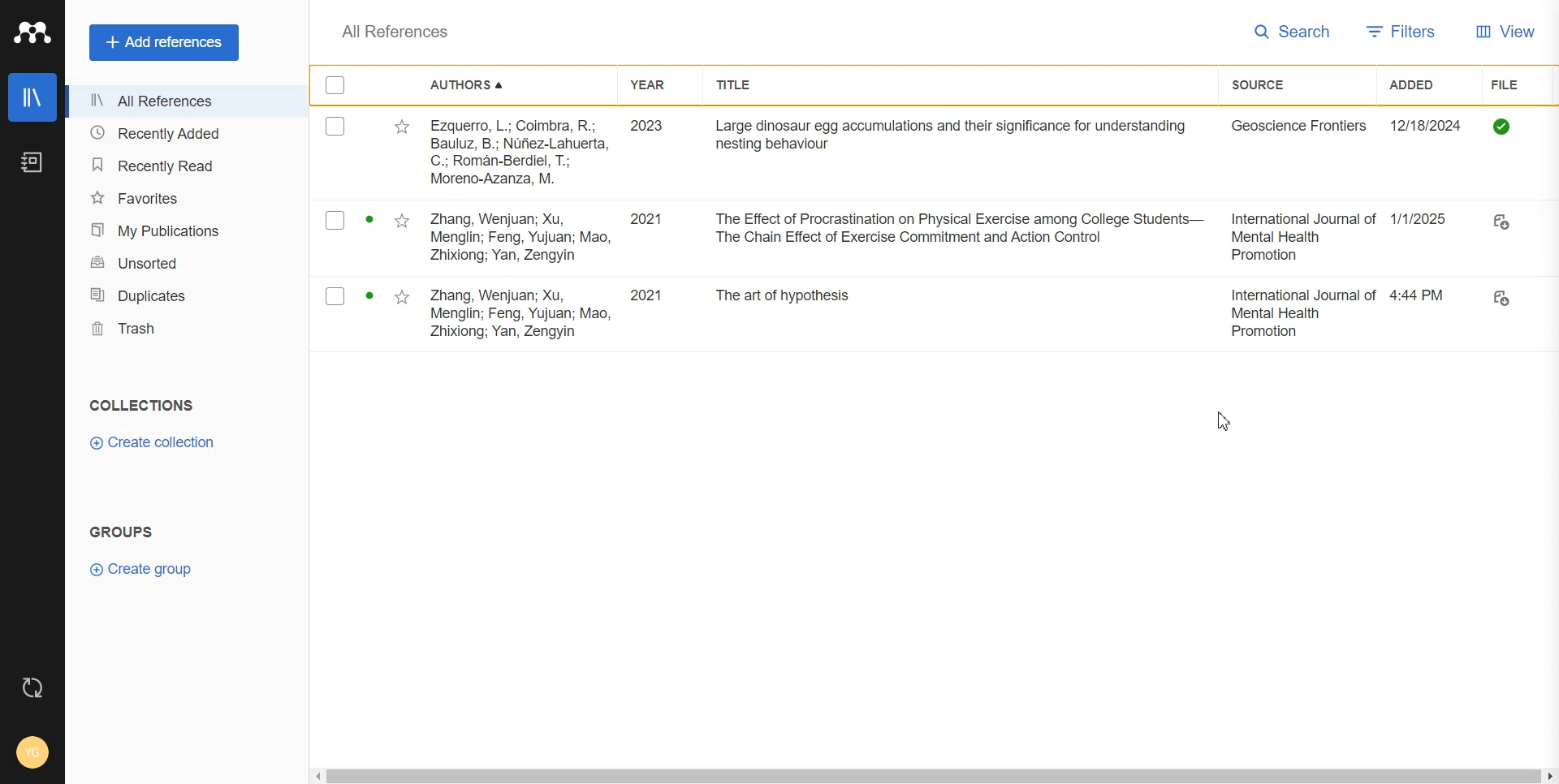 This screenshot has width=1559, height=784. What do you see at coordinates (659, 85) in the screenshot?
I see `Year` at bounding box center [659, 85].